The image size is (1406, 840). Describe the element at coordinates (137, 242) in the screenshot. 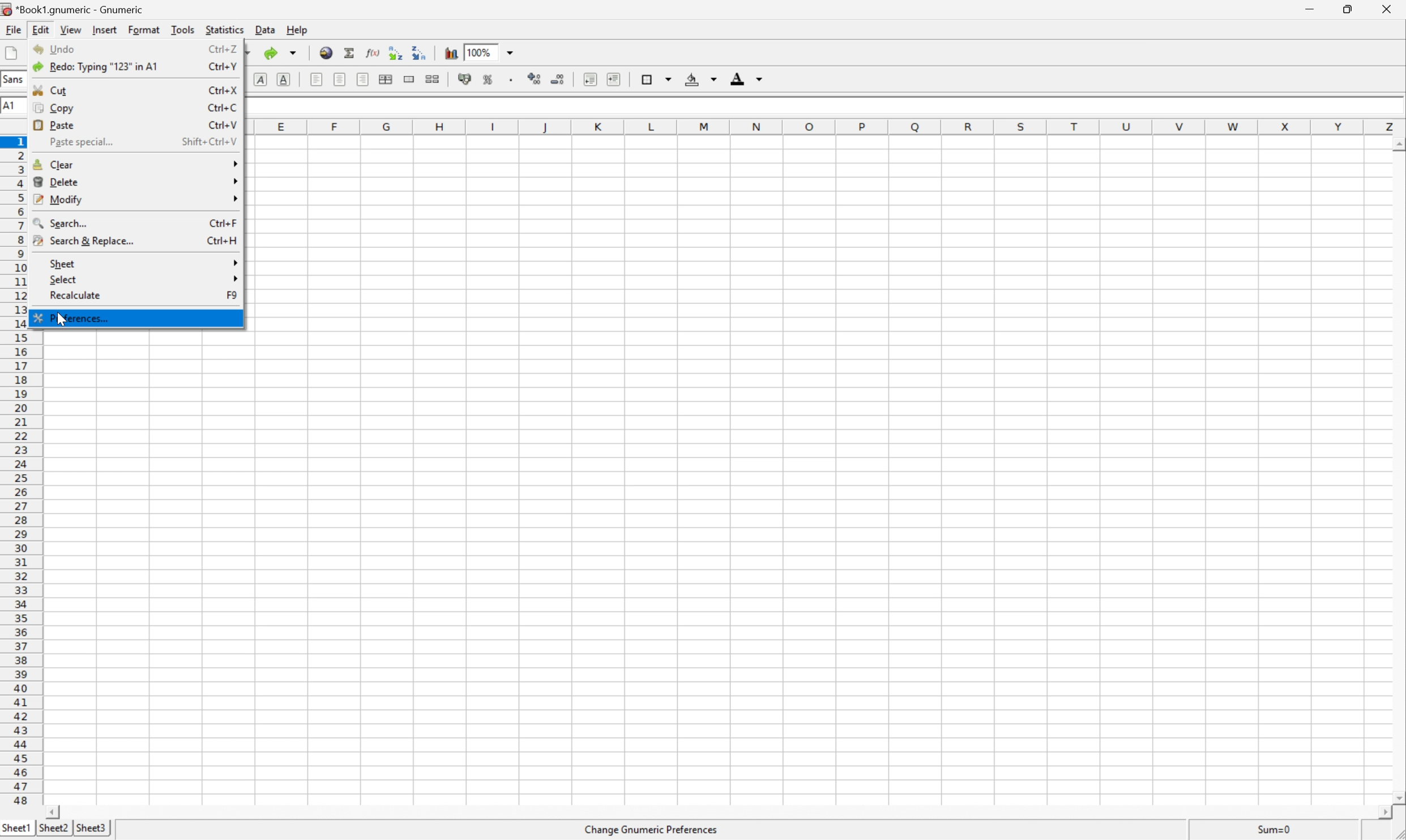

I see `search & replace  ctrl+h` at that location.